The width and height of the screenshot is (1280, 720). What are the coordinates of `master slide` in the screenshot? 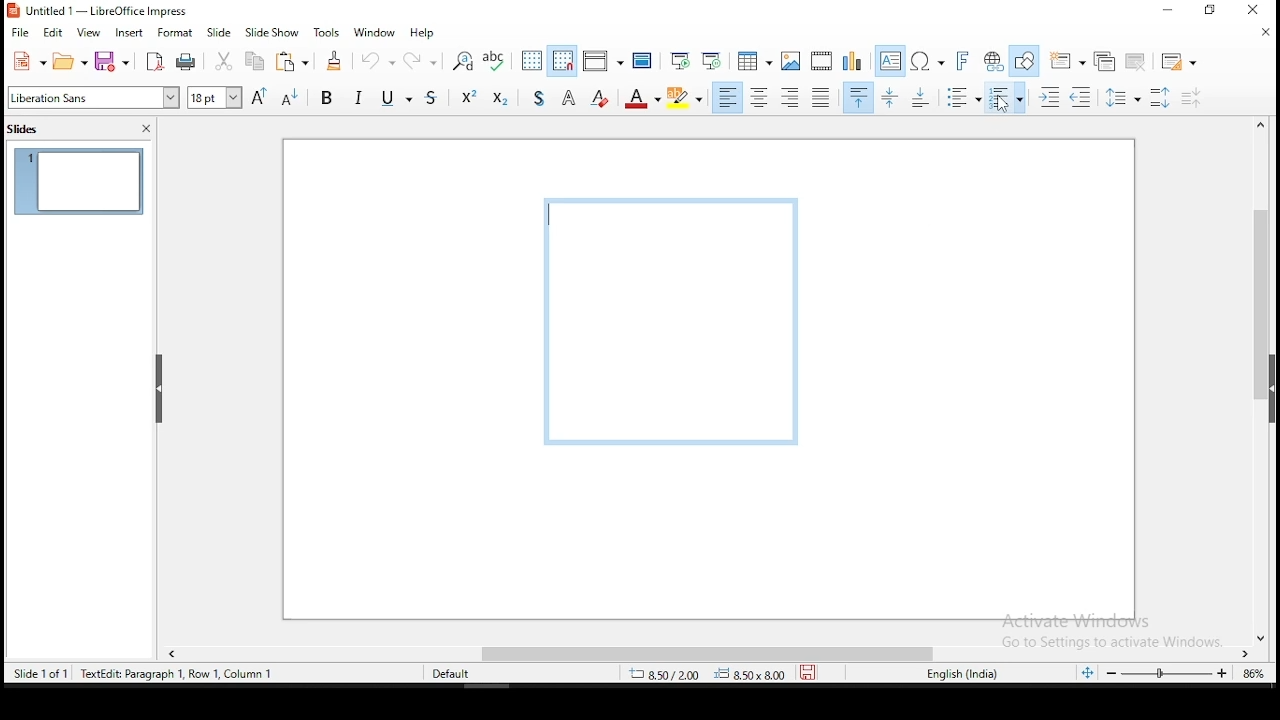 It's located at (641, 63).